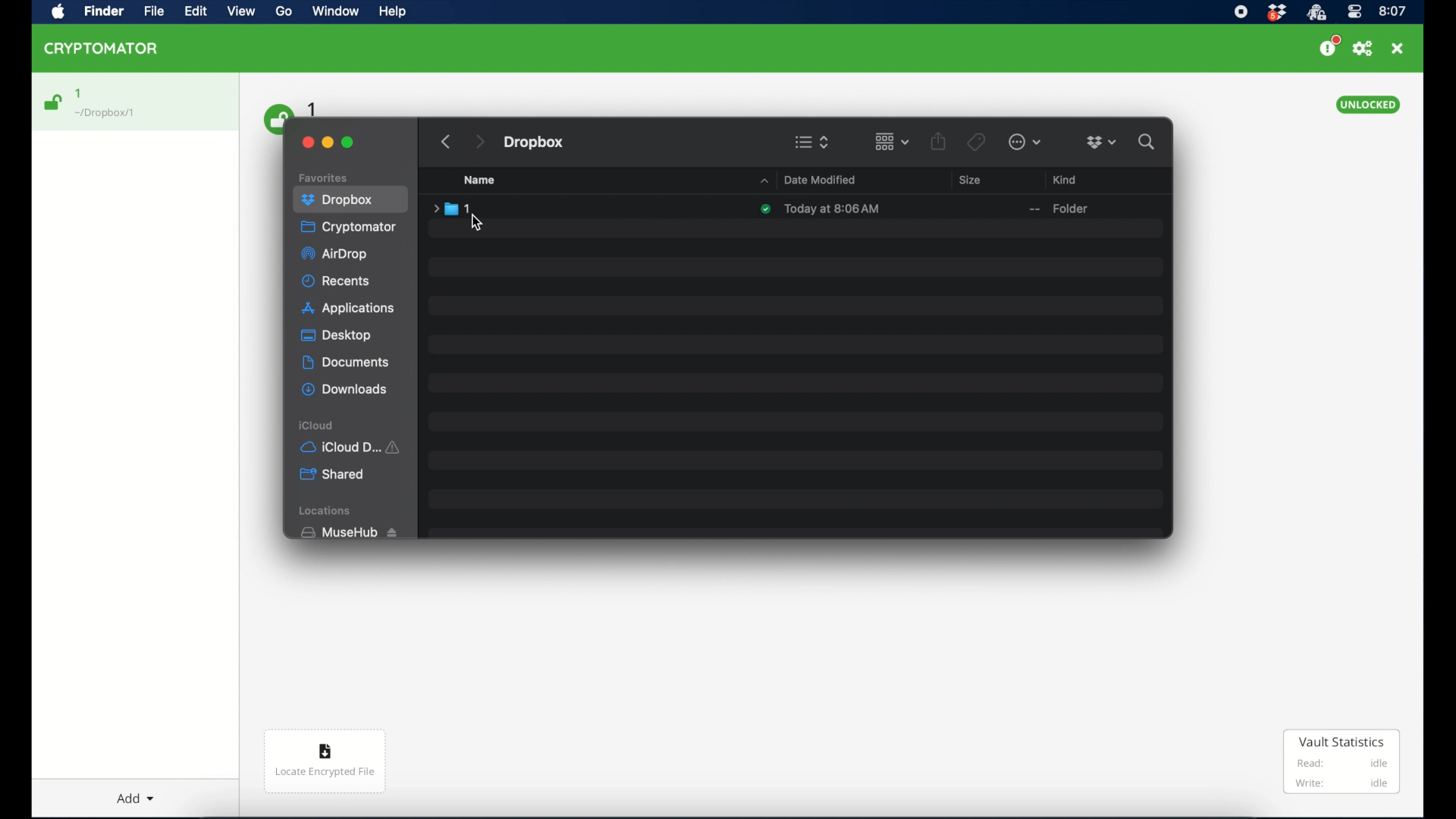  What do you see at coordinates (479, 180) in the screenshot?
I see `name` at bounding box center [479, 180].